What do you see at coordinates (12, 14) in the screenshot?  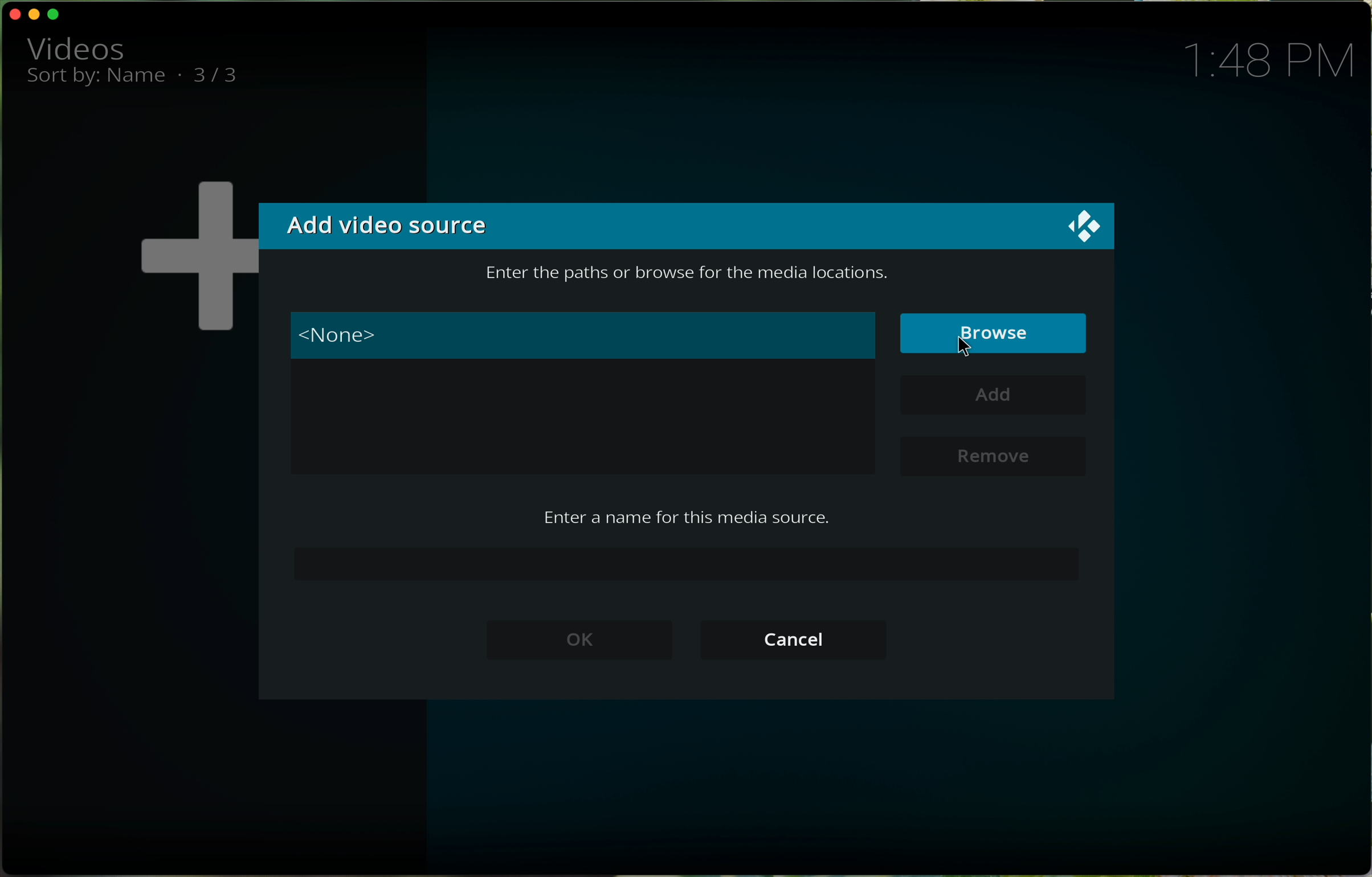 I see `close` at bounding box center [12, 14].